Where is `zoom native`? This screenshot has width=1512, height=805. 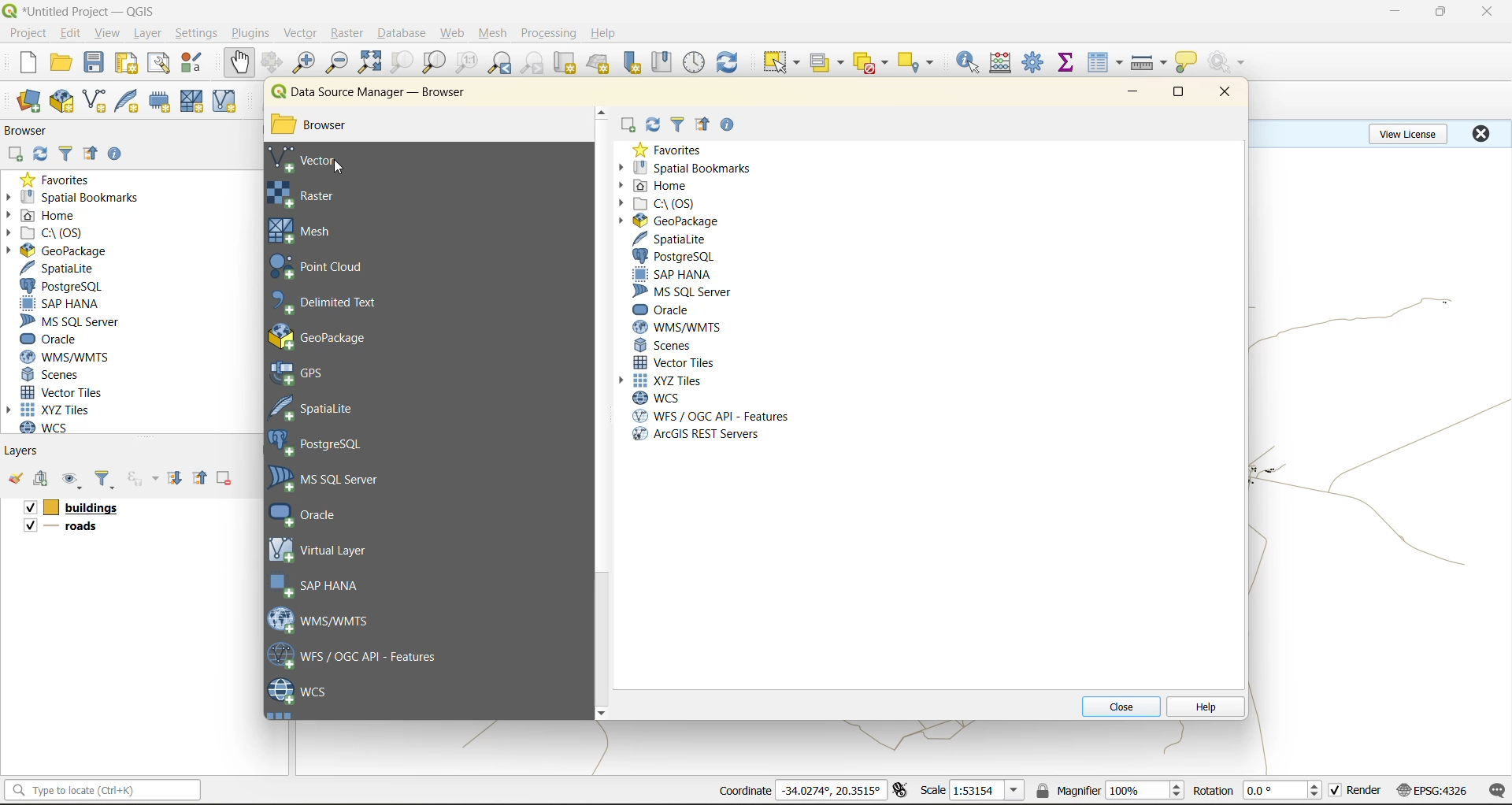
zoom native is located at coordinates (467, 63).